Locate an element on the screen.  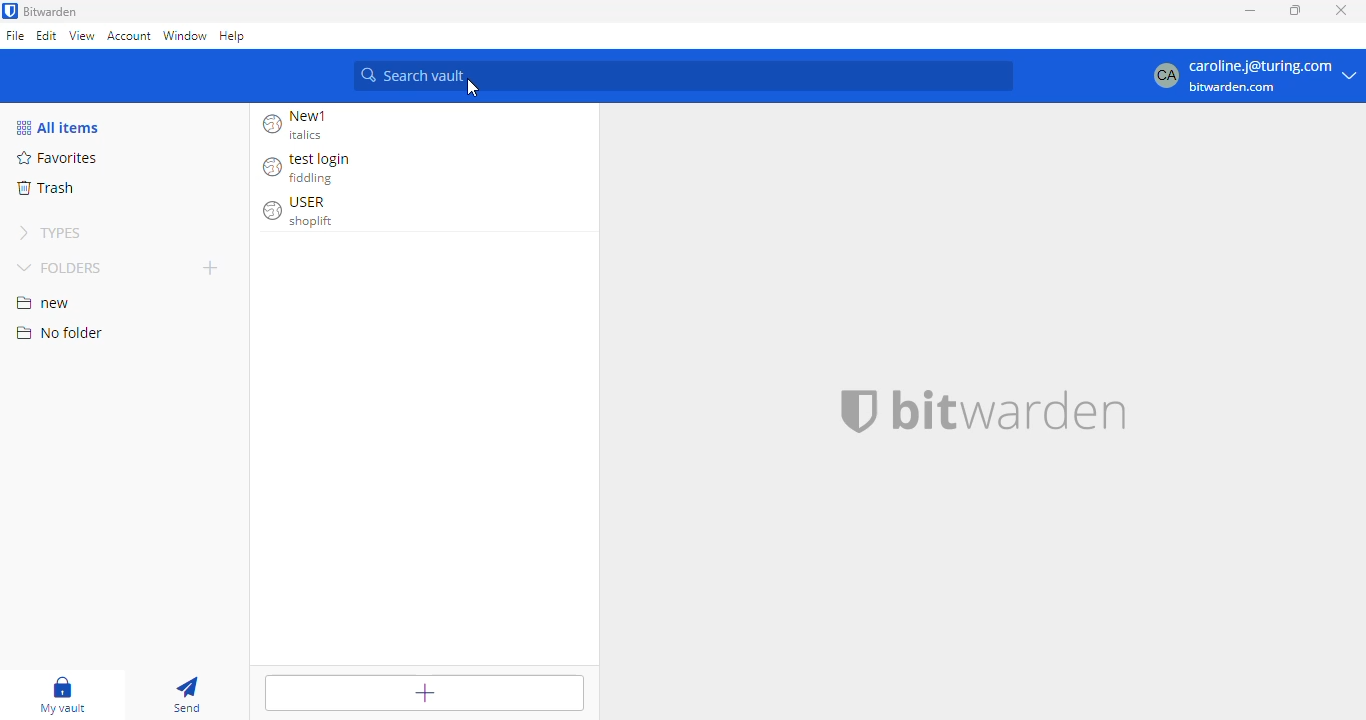
search vault is located at coordinates (682, 76).